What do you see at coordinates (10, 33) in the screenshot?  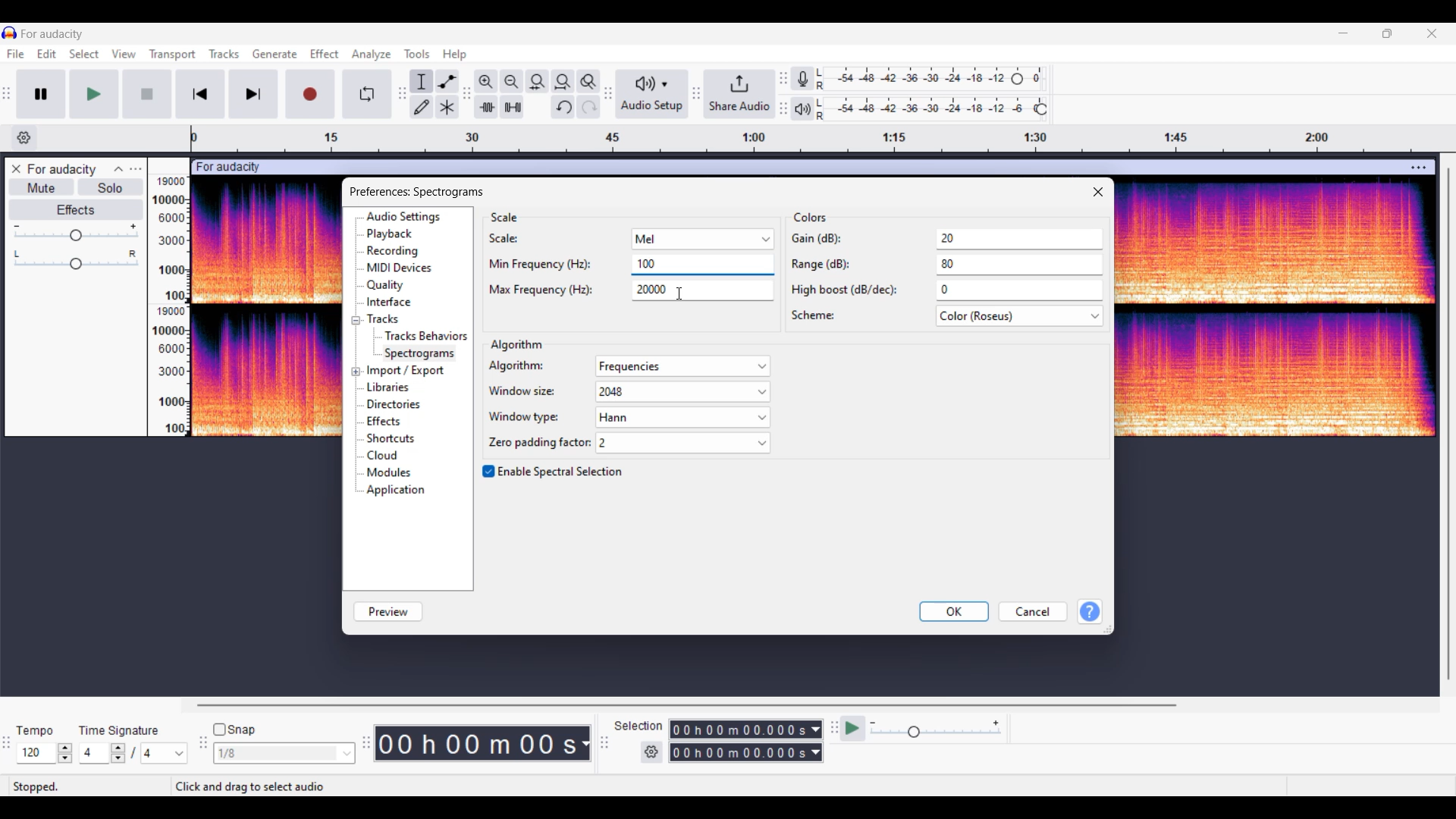 I see `Software logo` at bounding box center [10, 33].